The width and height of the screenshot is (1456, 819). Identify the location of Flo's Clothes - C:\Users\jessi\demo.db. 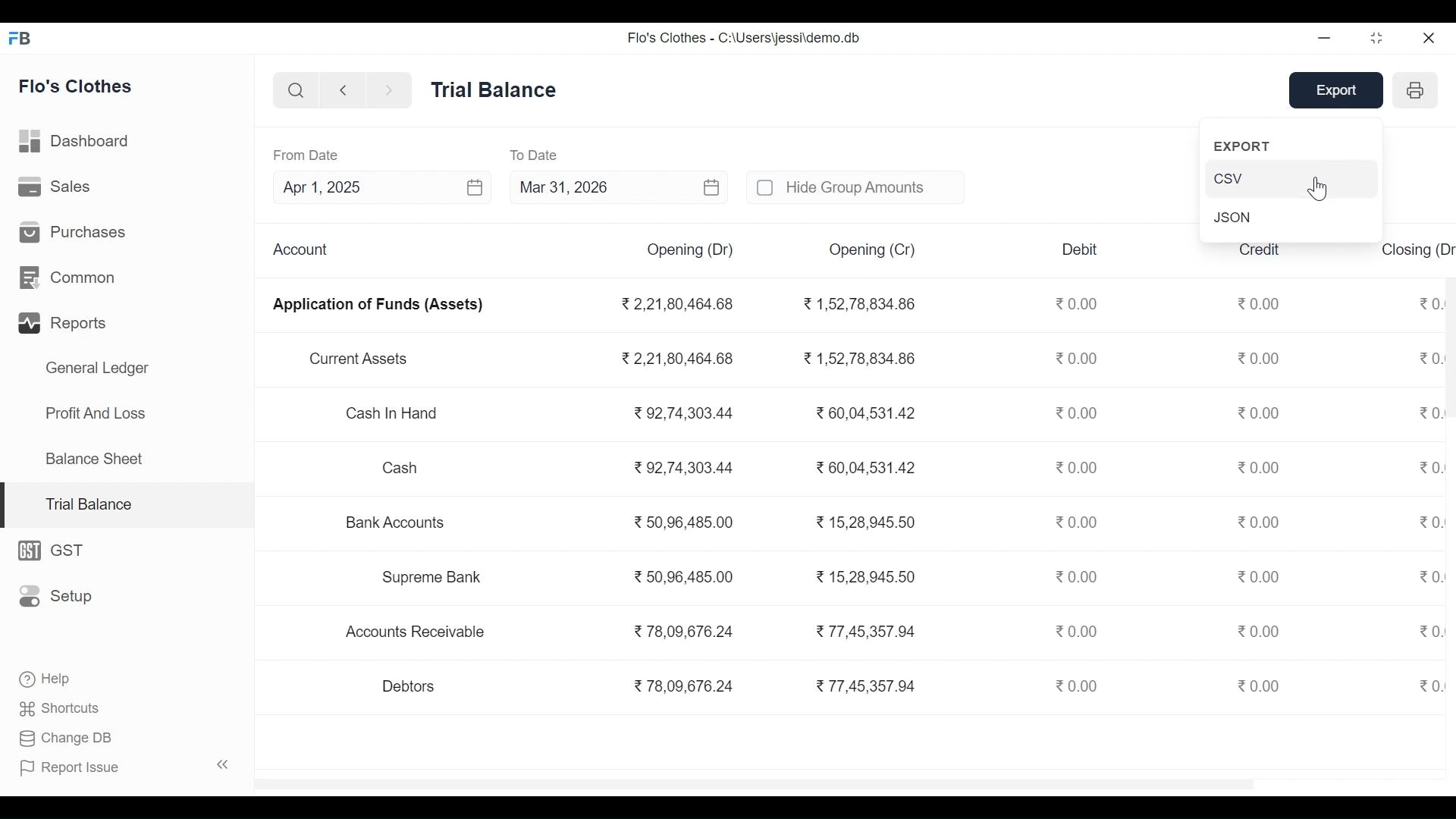
(744, 39).